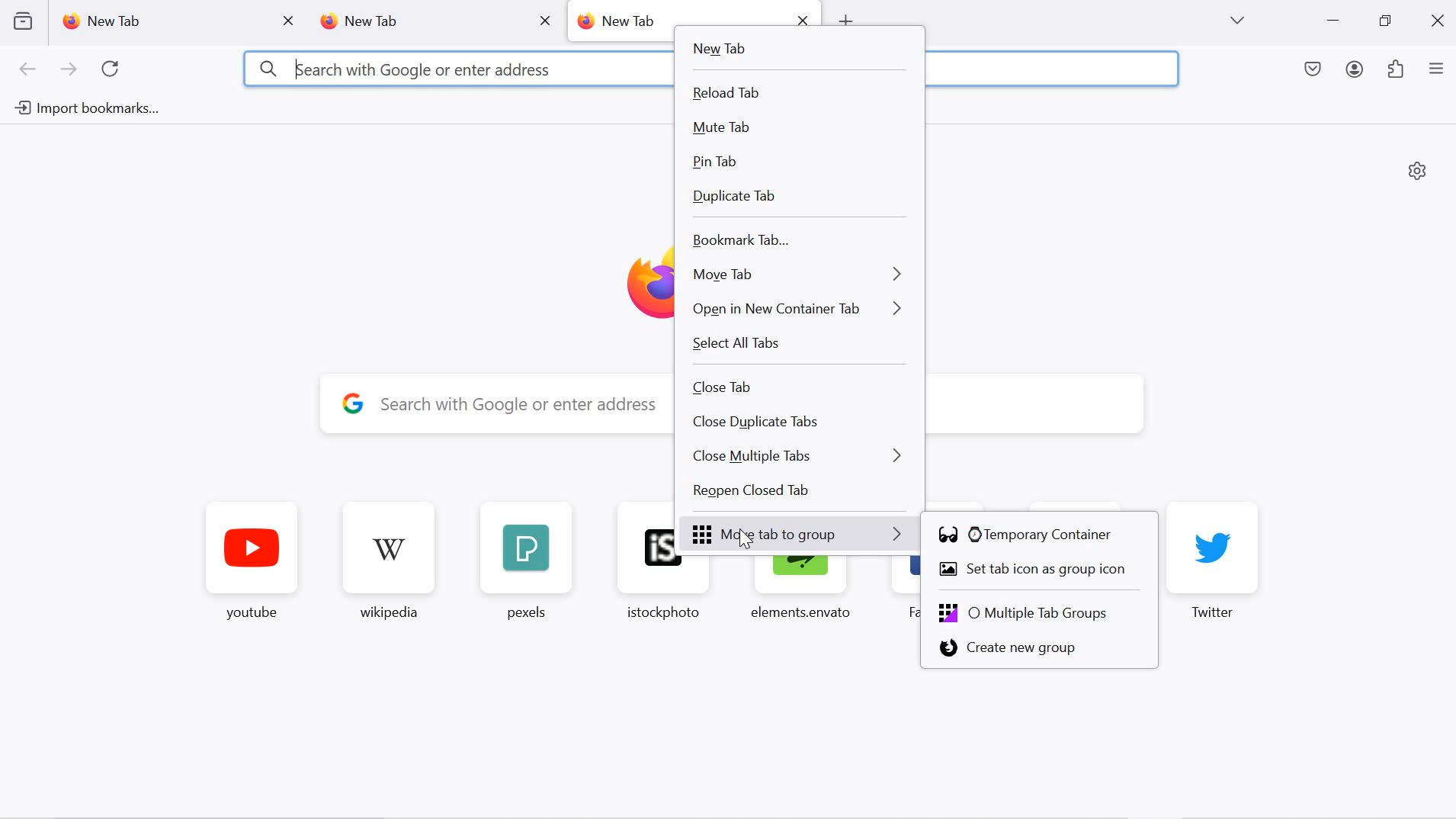 Image resolution: width=1456 pixels, height=819 pixels. I want to click on reload tab, so click(794, 93).